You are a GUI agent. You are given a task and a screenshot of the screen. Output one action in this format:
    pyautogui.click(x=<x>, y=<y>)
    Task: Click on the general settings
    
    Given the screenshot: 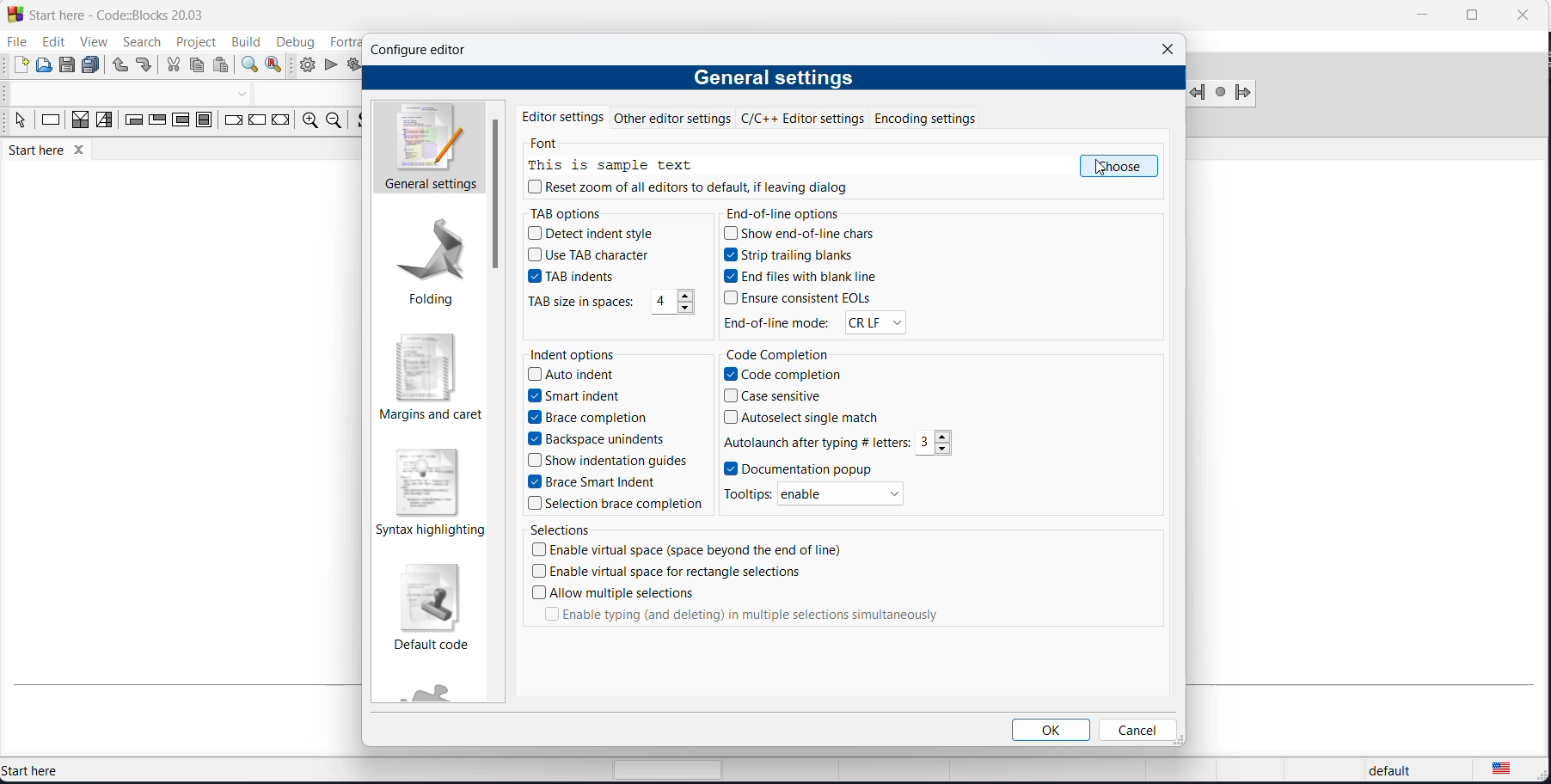 What is the action you would take?
    pyautogui.click(x=772, y=79)
    